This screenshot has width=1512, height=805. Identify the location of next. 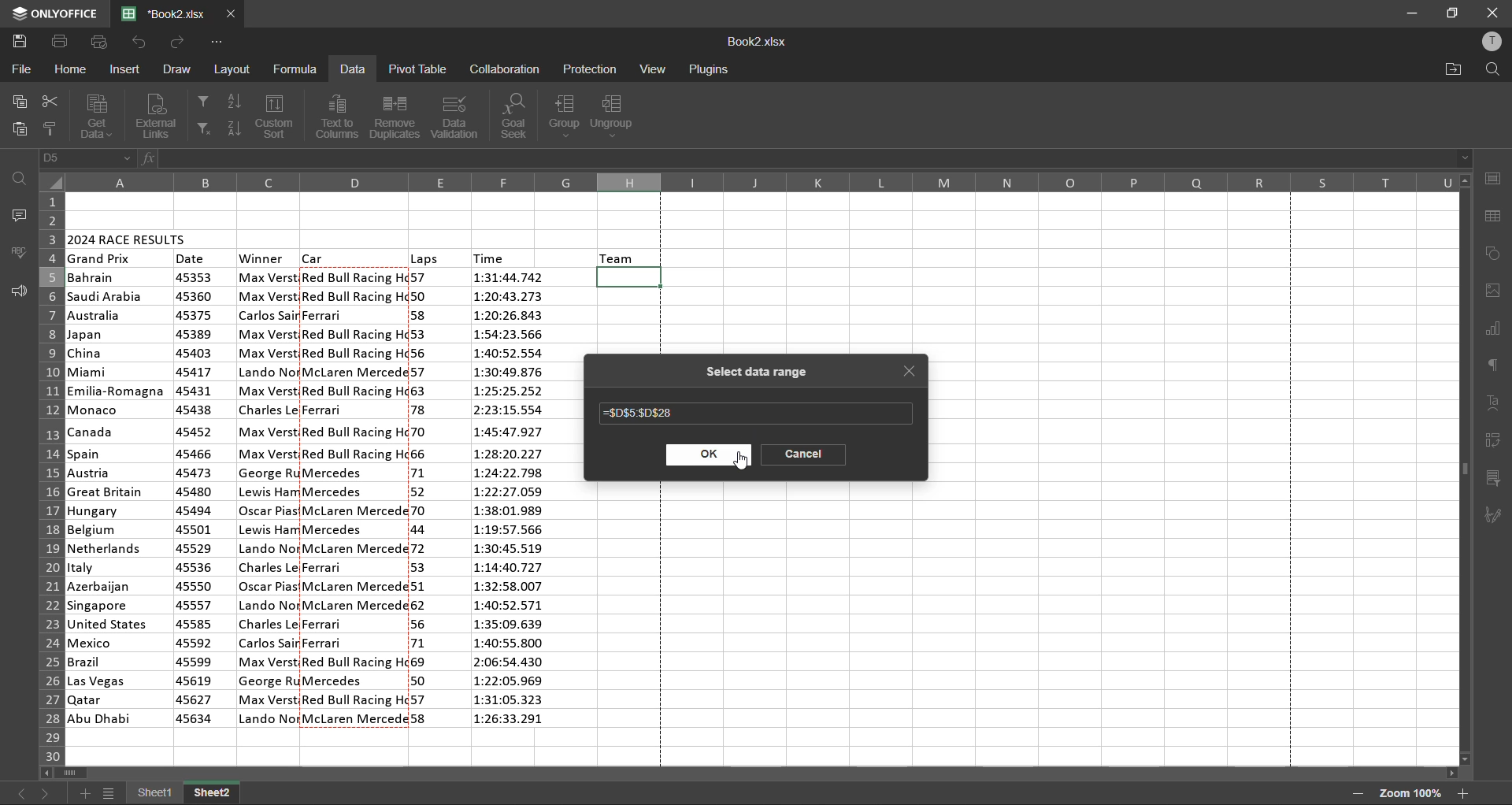
(46, 791).